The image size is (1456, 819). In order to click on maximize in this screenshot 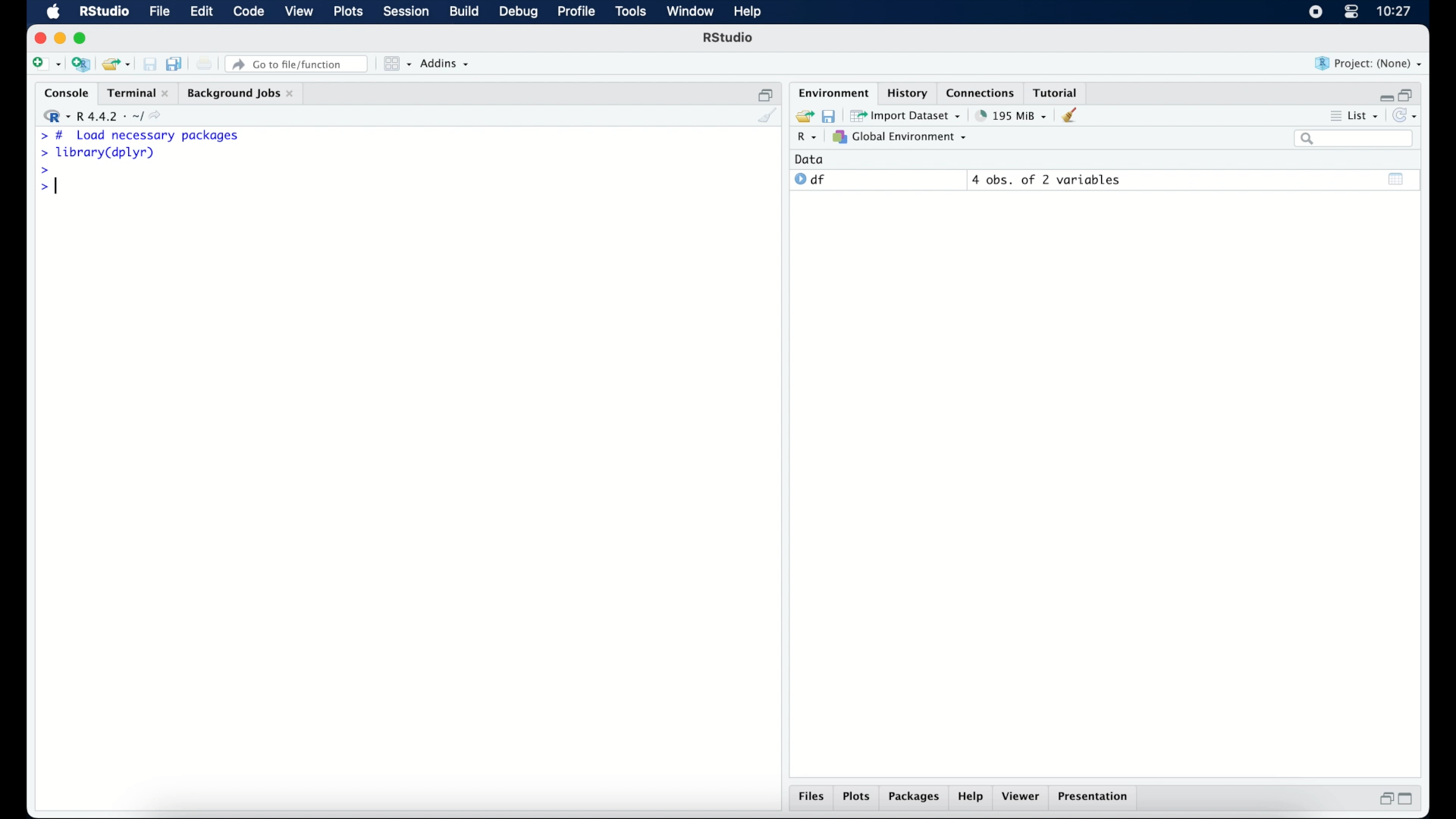, I will do `click(83, 38)`.